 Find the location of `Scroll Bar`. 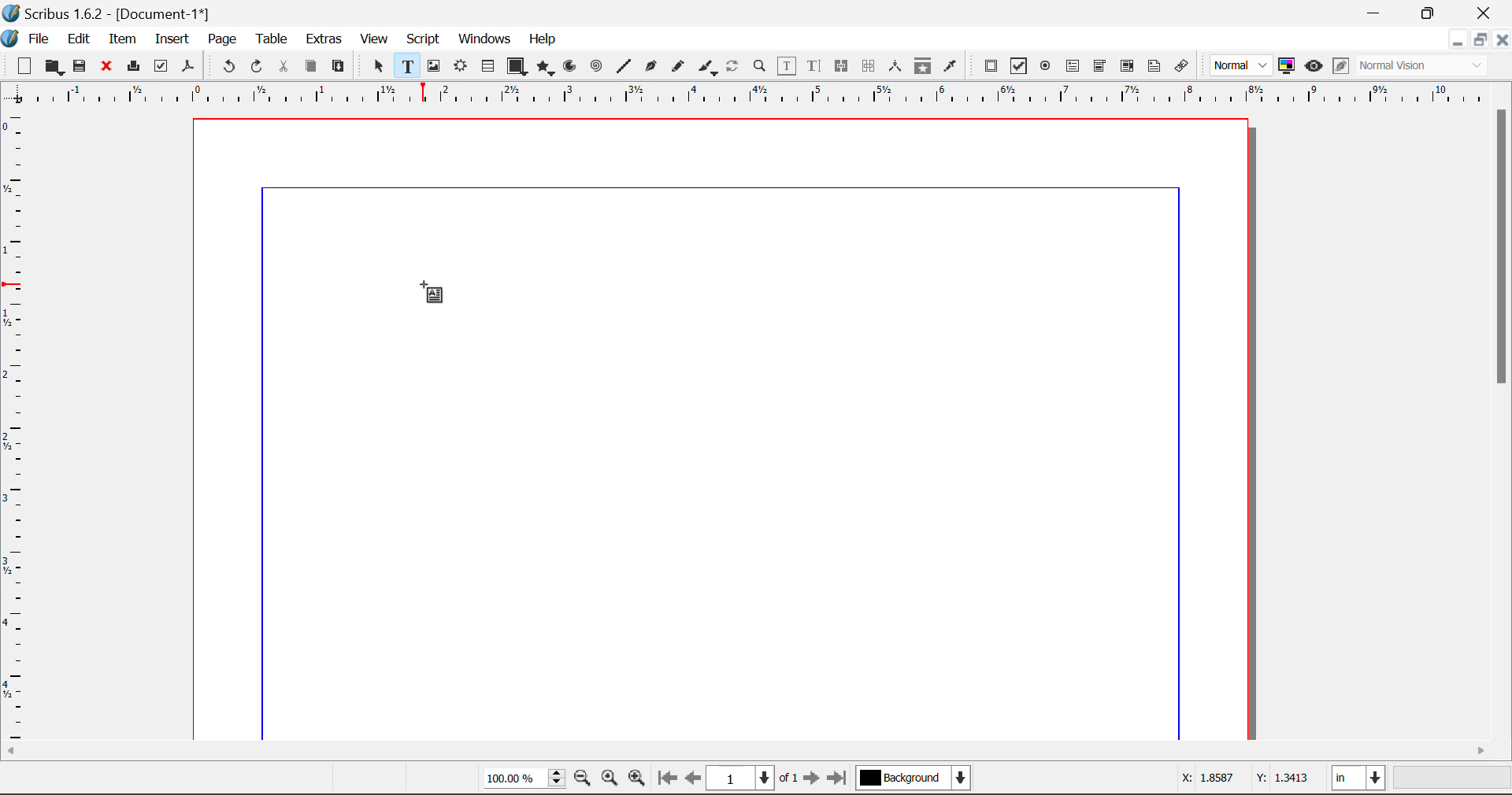

Scroll Bar is located at coordinates (1503, 420).